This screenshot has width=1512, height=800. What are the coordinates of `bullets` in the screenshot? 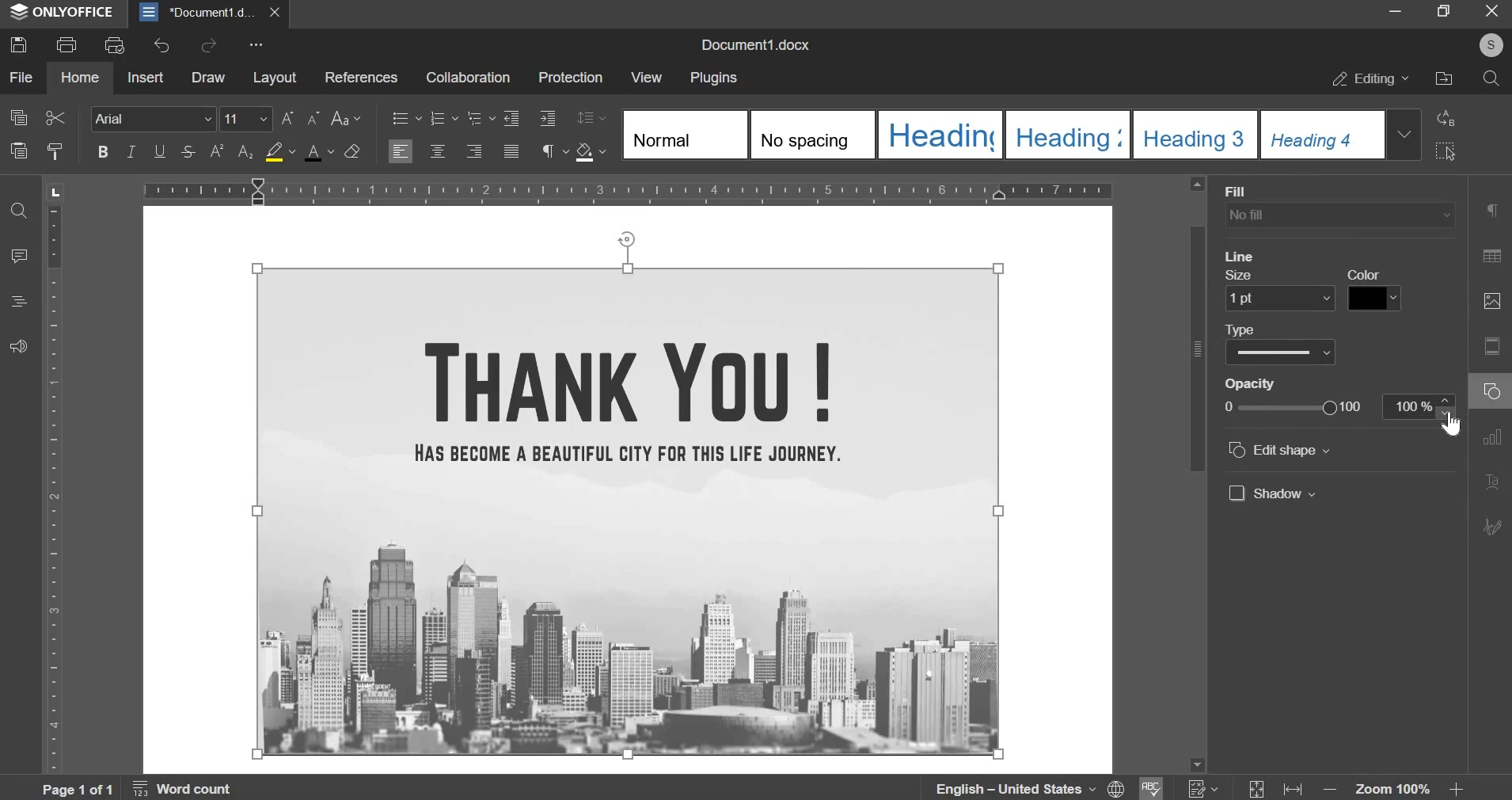 It's located at (406, 118).